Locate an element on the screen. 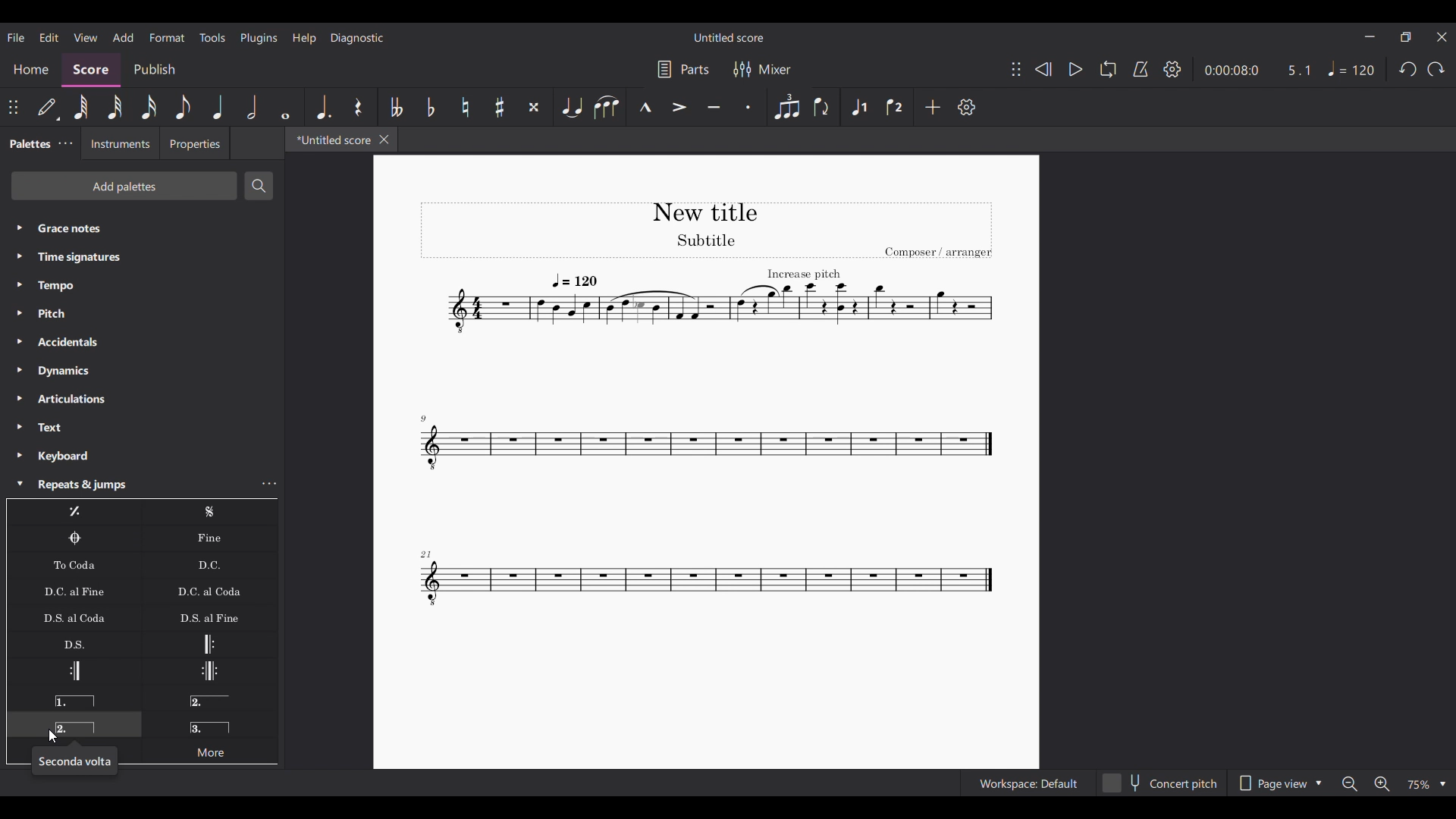 The width and height of the screenshot is (1456, 819). Accidentals is located at coordinates (142, 342).